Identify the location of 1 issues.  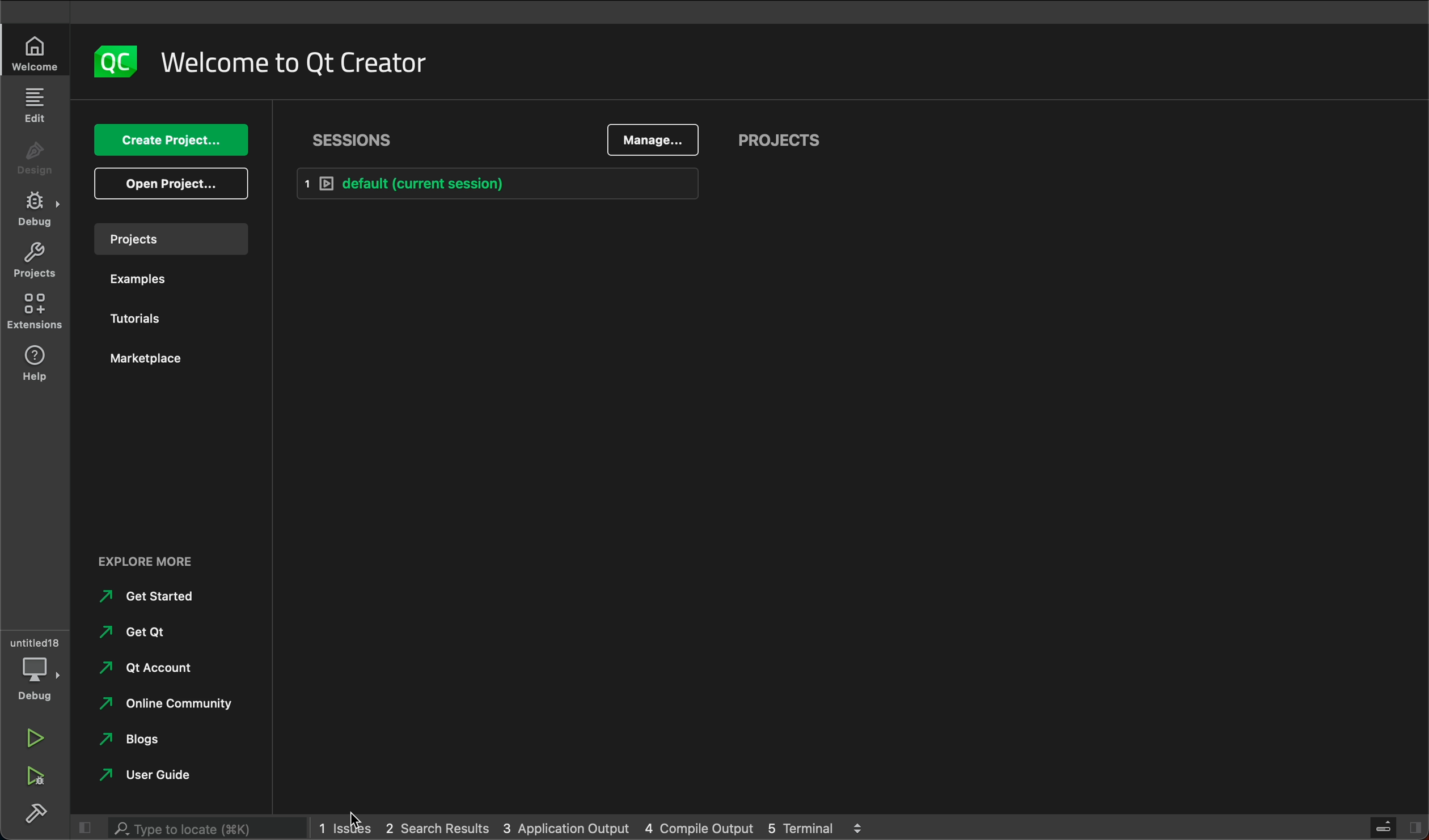
(339, 828).